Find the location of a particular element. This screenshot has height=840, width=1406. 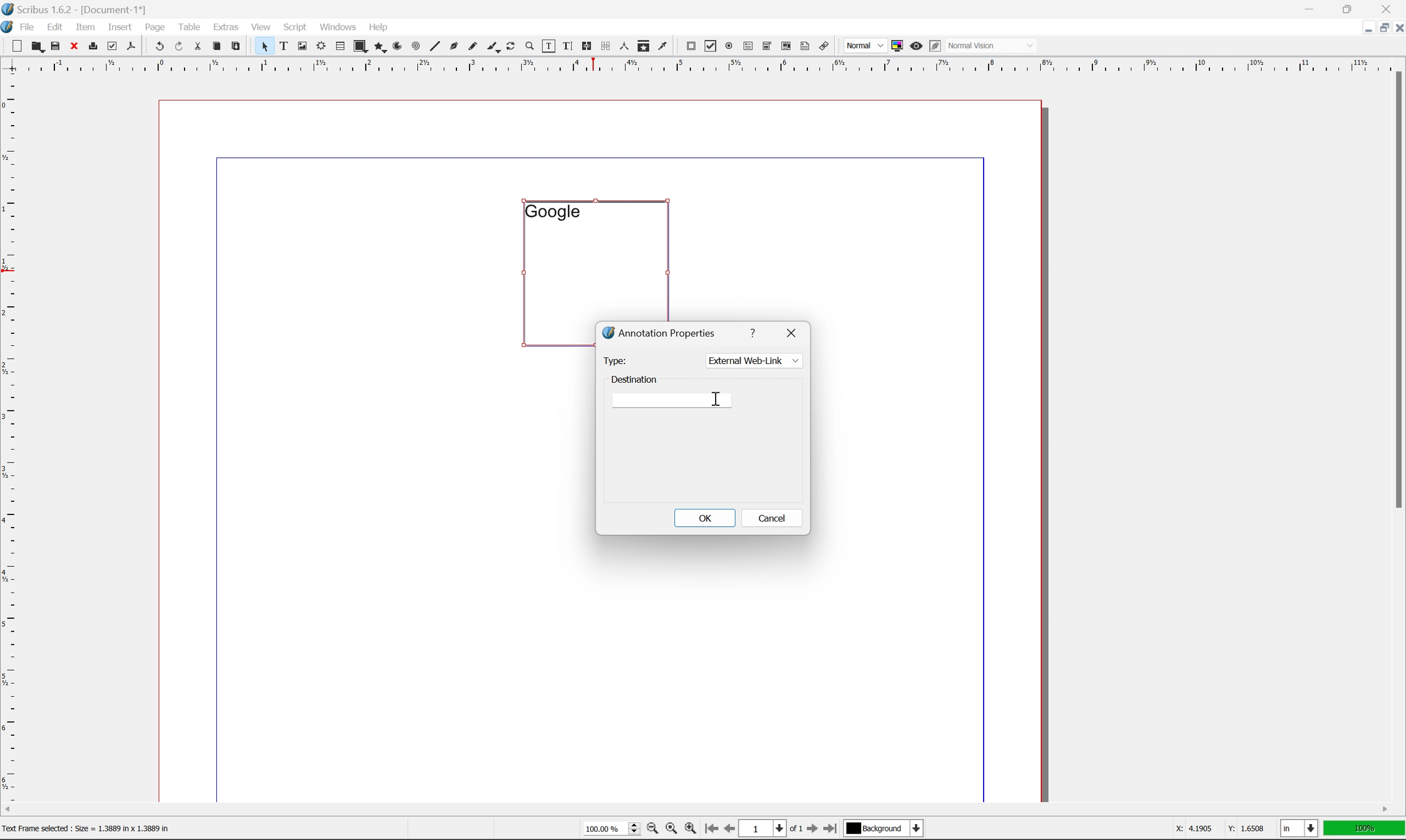

undo is located at coordinates (159, 47).